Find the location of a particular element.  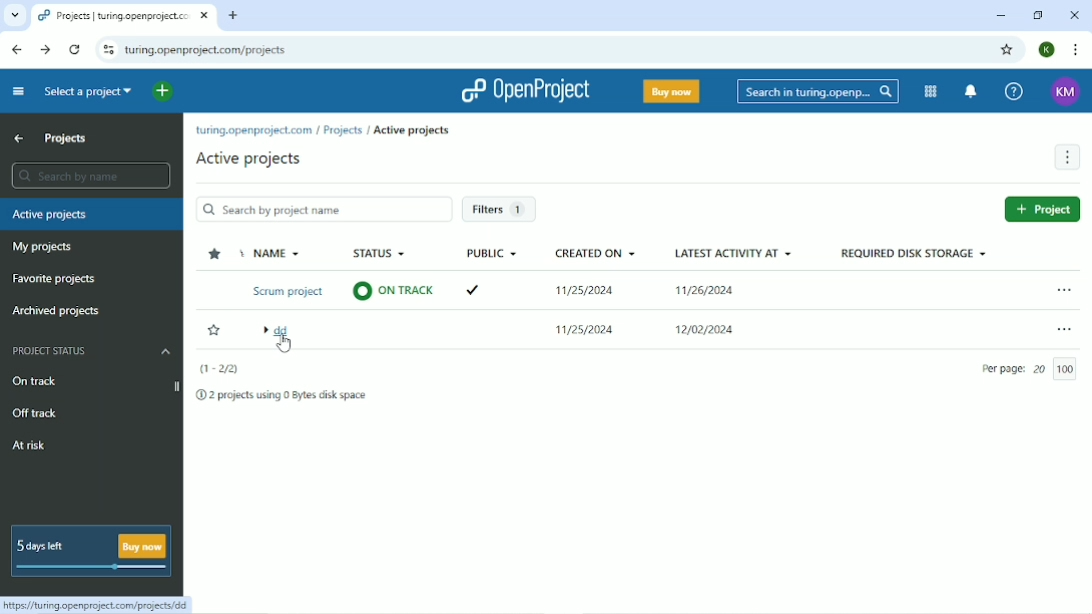

OpenProject is located at coordinates (525, 90).